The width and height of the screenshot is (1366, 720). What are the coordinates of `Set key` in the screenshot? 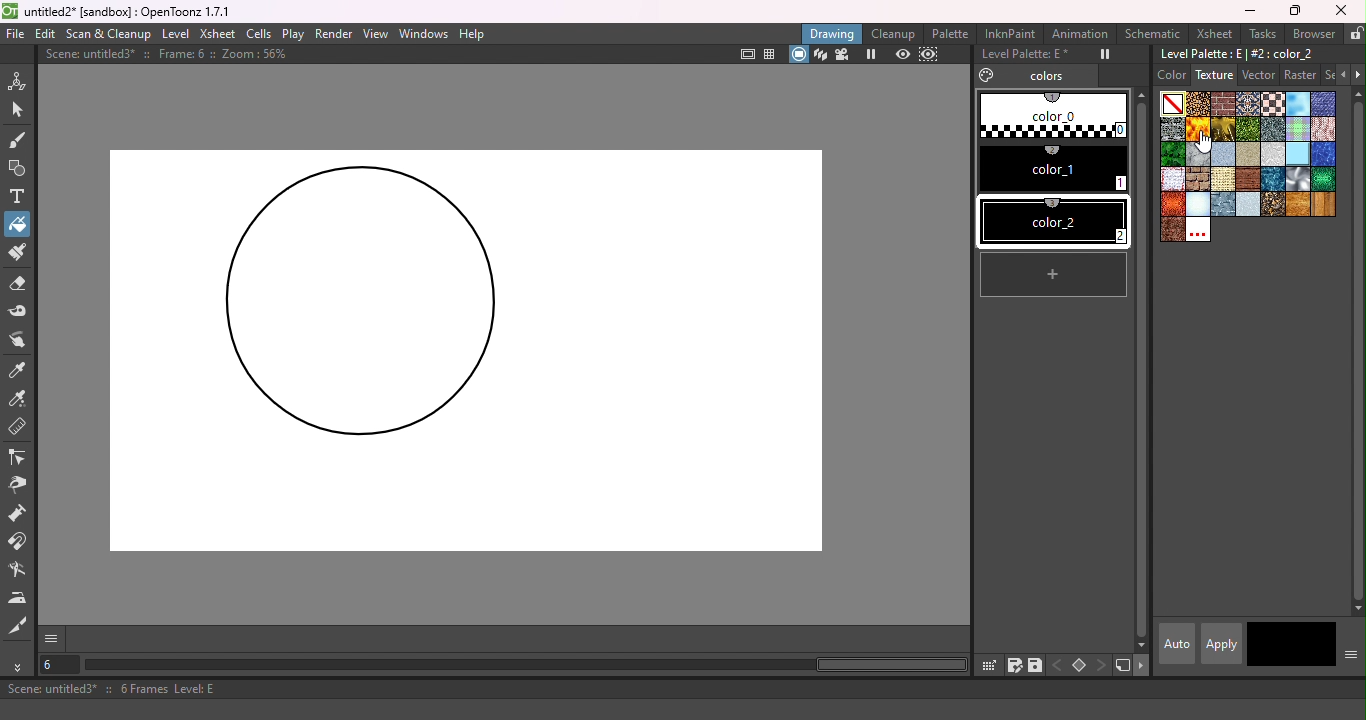 It's located at (1079, 666).